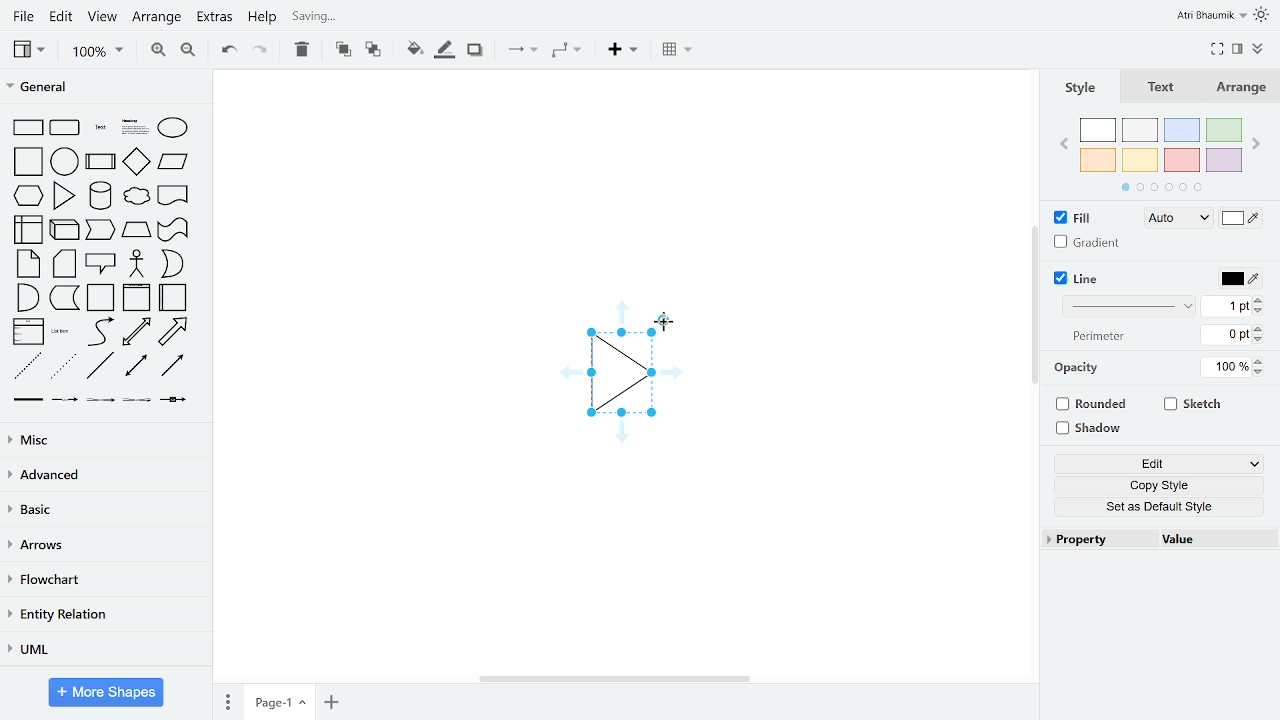 The image size is (1280, 720). I want to click on bidirectional arrow, so click(135, 367).